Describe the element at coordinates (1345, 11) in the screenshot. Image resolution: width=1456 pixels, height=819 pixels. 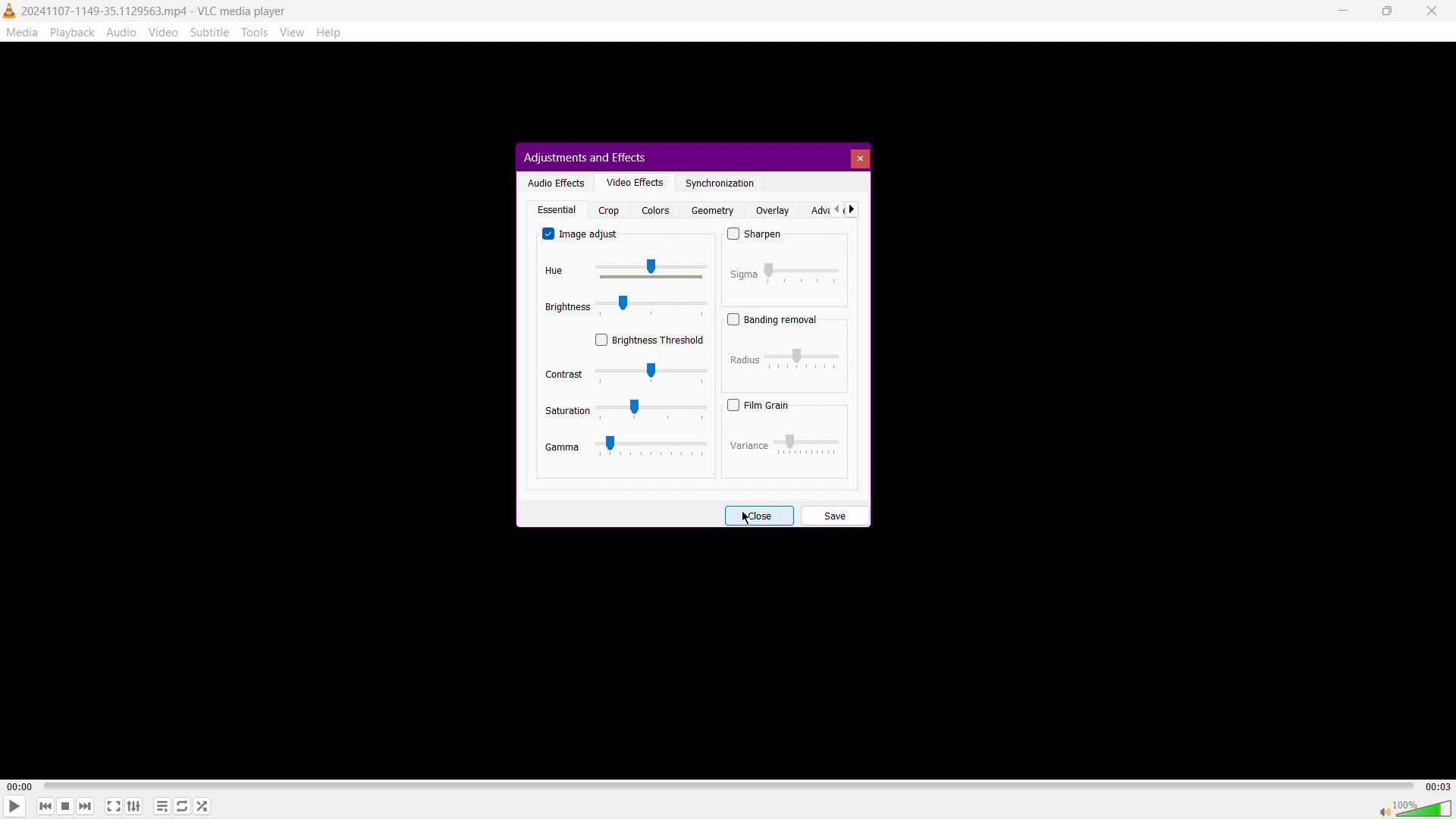
I see `Minimize` at that location.